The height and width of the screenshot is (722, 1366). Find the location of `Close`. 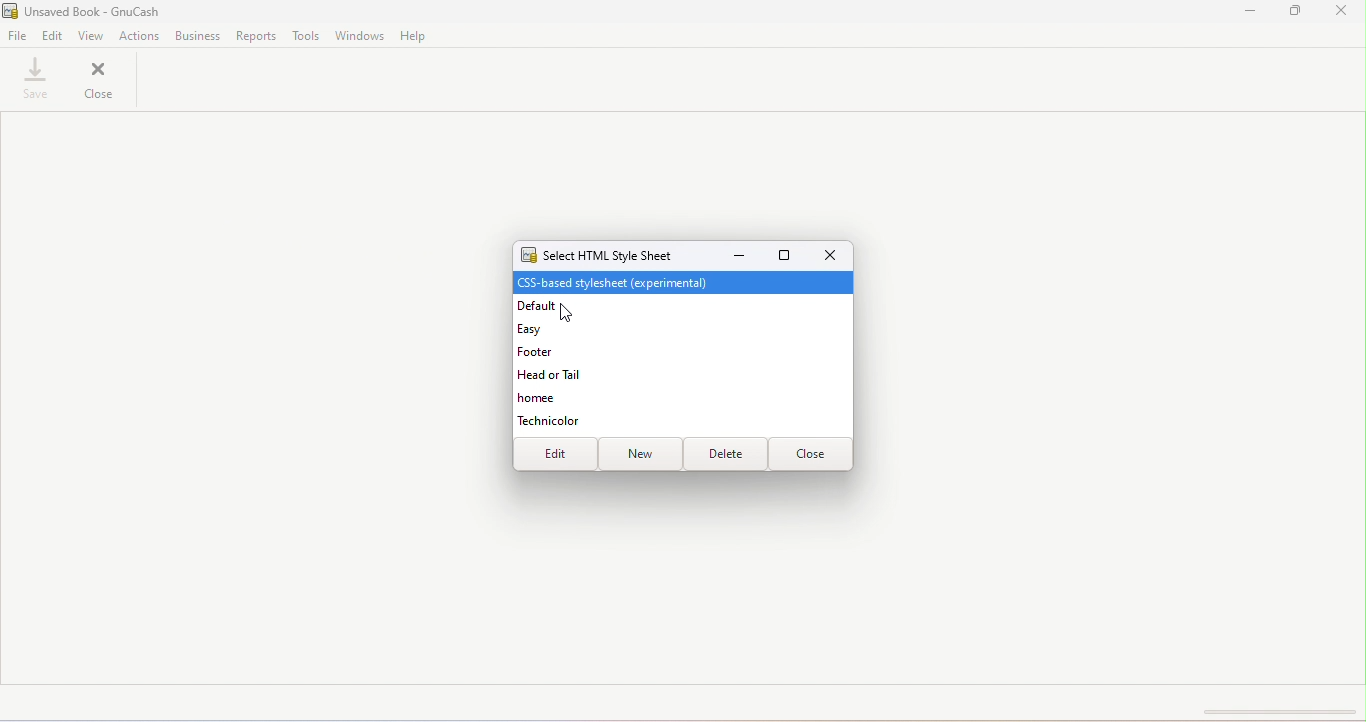

Close is located at coordinates (828, 256).